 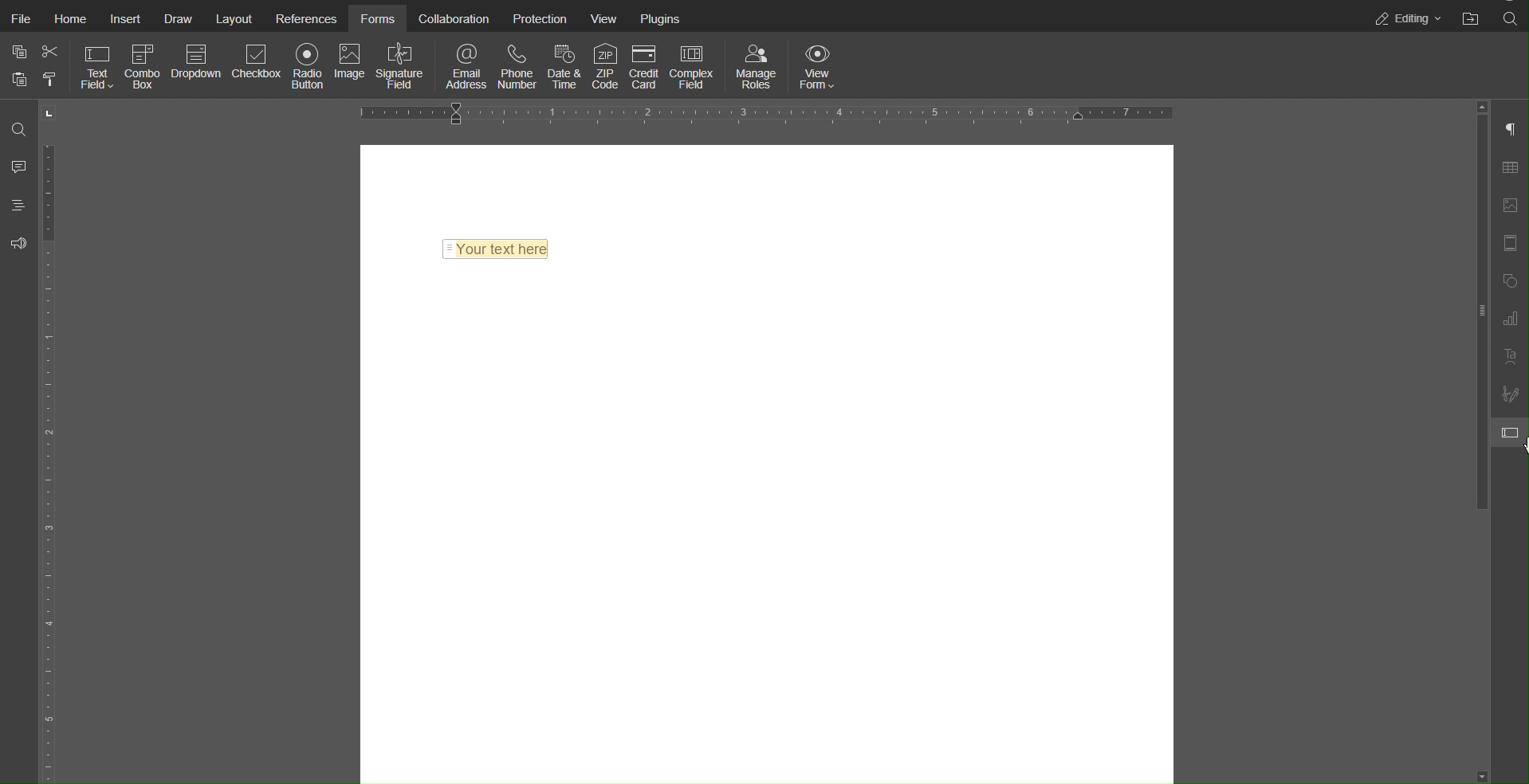 What do you see at coordinates (467, 66) in the screenshot?
I see `Email Address` at bounding box center [467, 66].